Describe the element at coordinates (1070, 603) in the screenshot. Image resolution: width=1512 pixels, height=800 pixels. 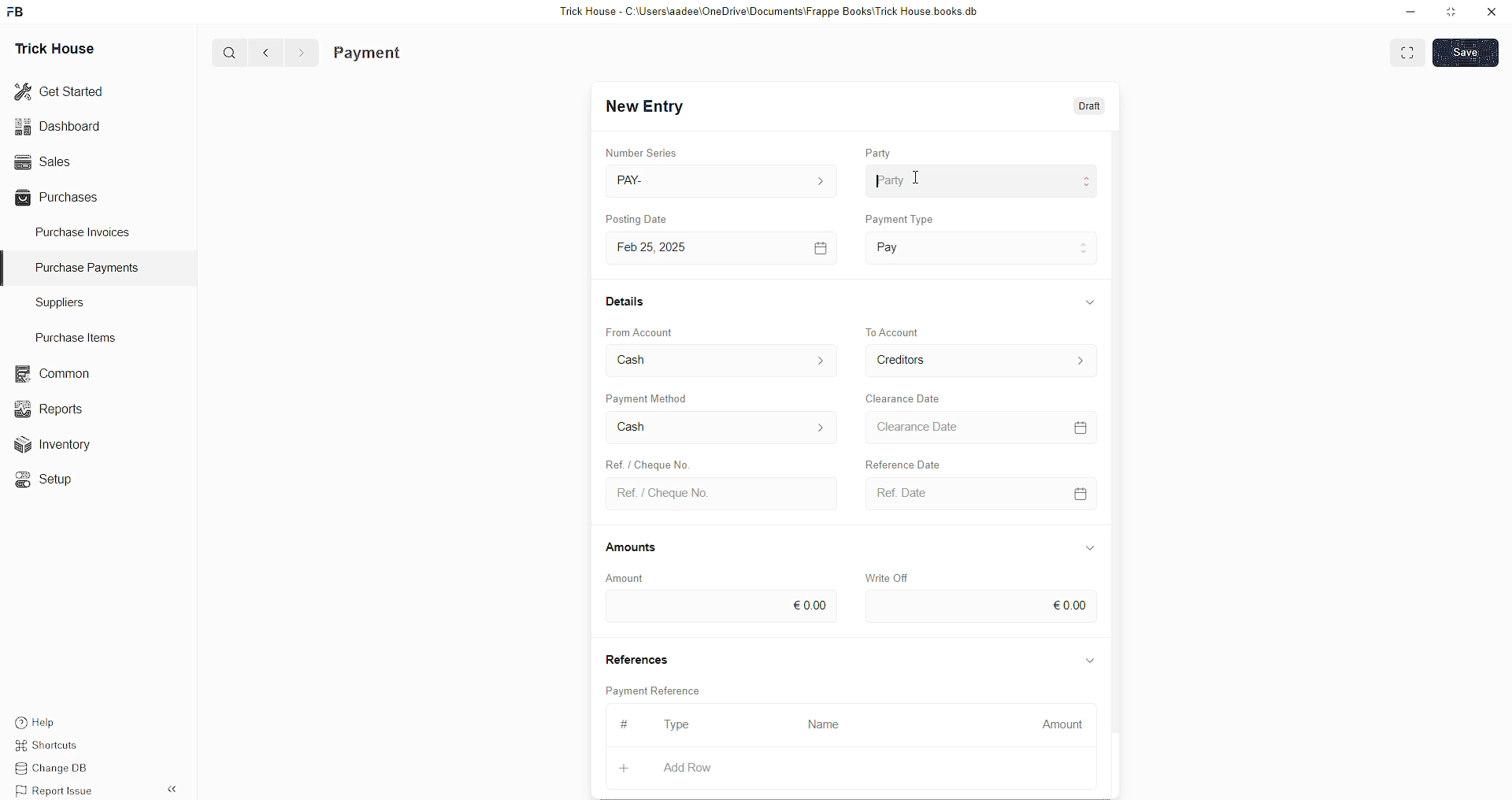
I see `€0.00` at that location.